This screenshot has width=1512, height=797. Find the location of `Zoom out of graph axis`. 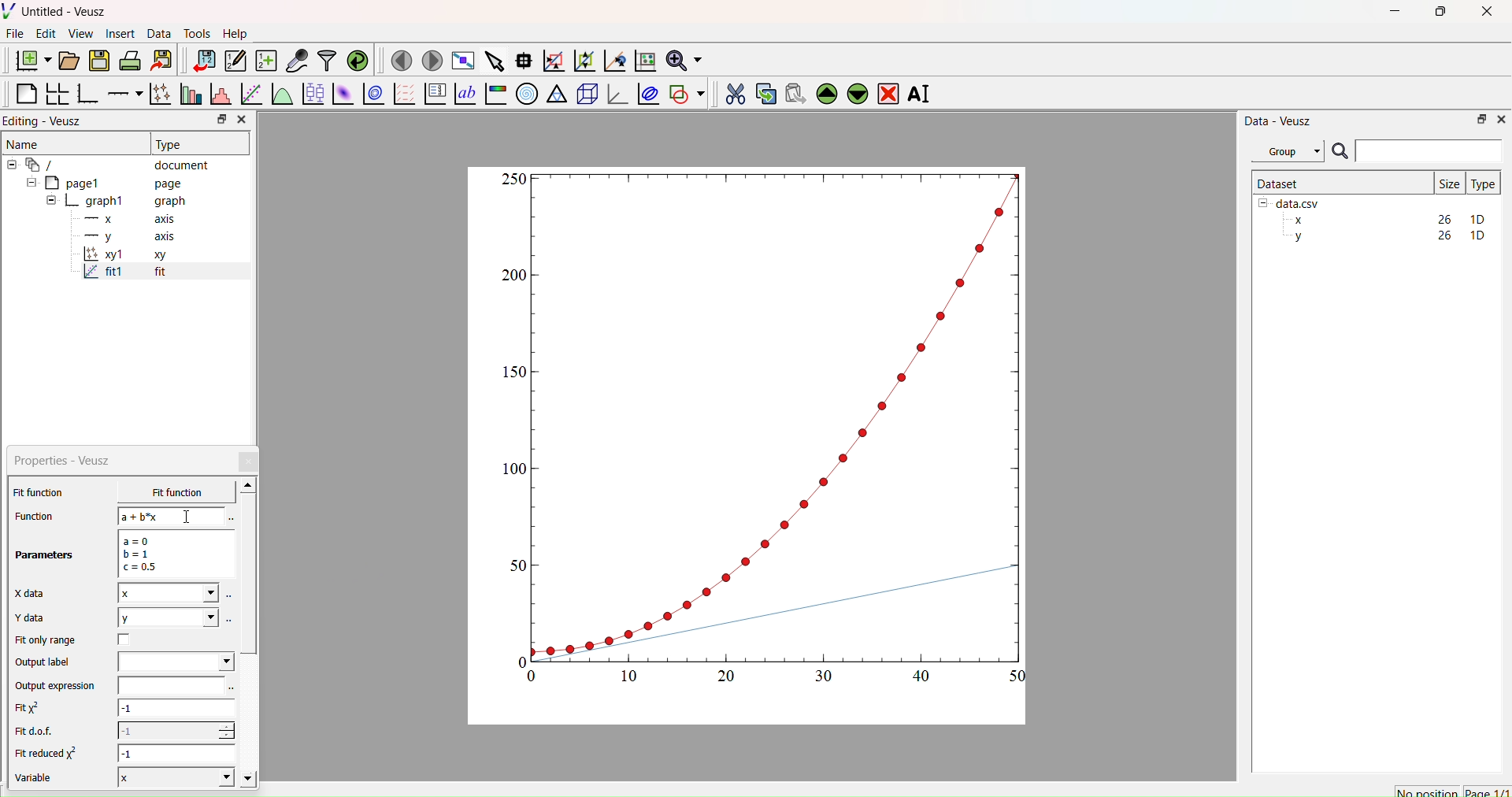

Zoom out of graph axis is located at coordinates (583, 59).